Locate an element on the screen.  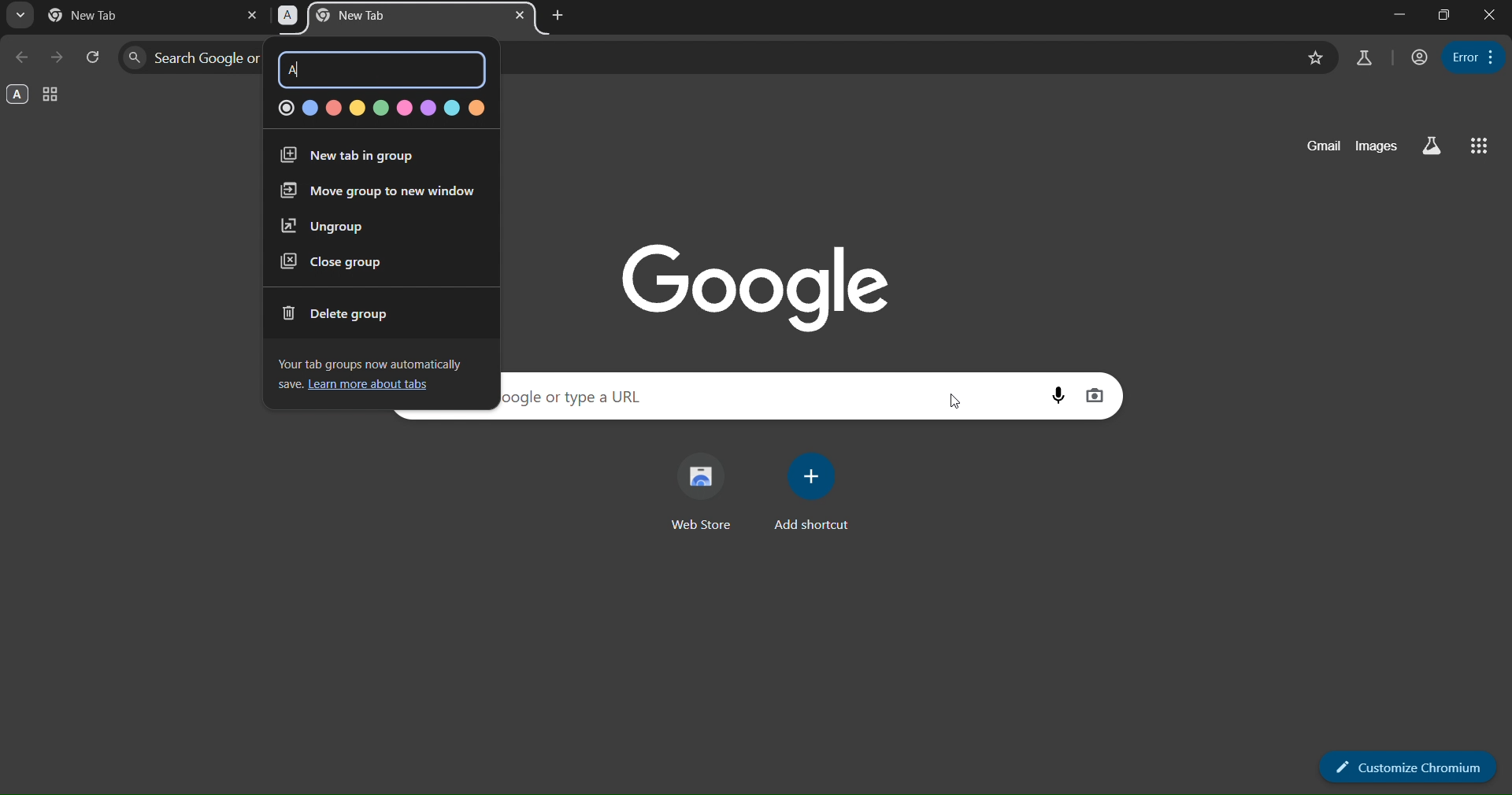
close is located at coordinates (1489, 16).